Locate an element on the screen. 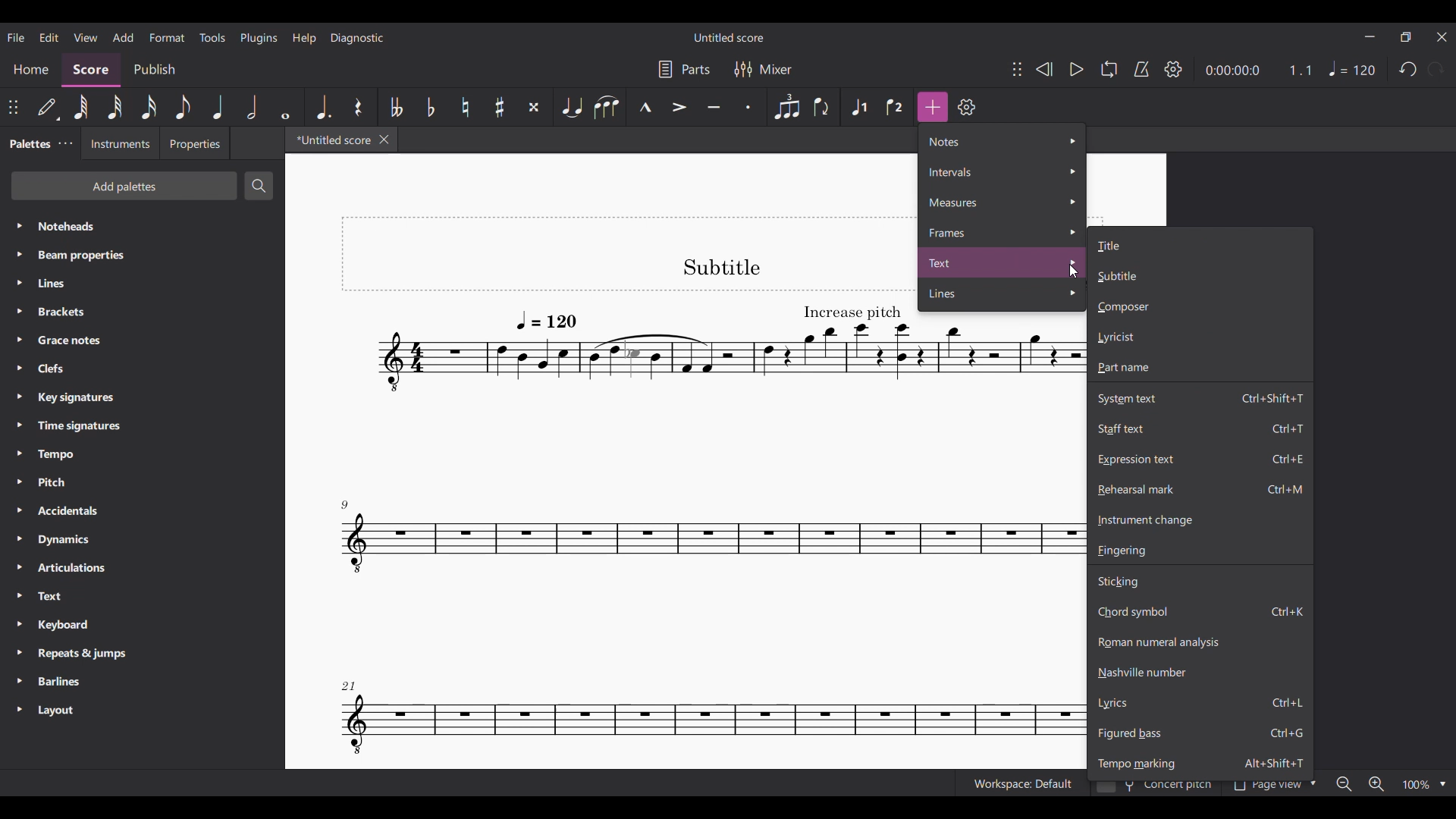 Image resolution: width=1456 pixels, height=819 pixels. Tenuto is located at coordinates (714, 107).